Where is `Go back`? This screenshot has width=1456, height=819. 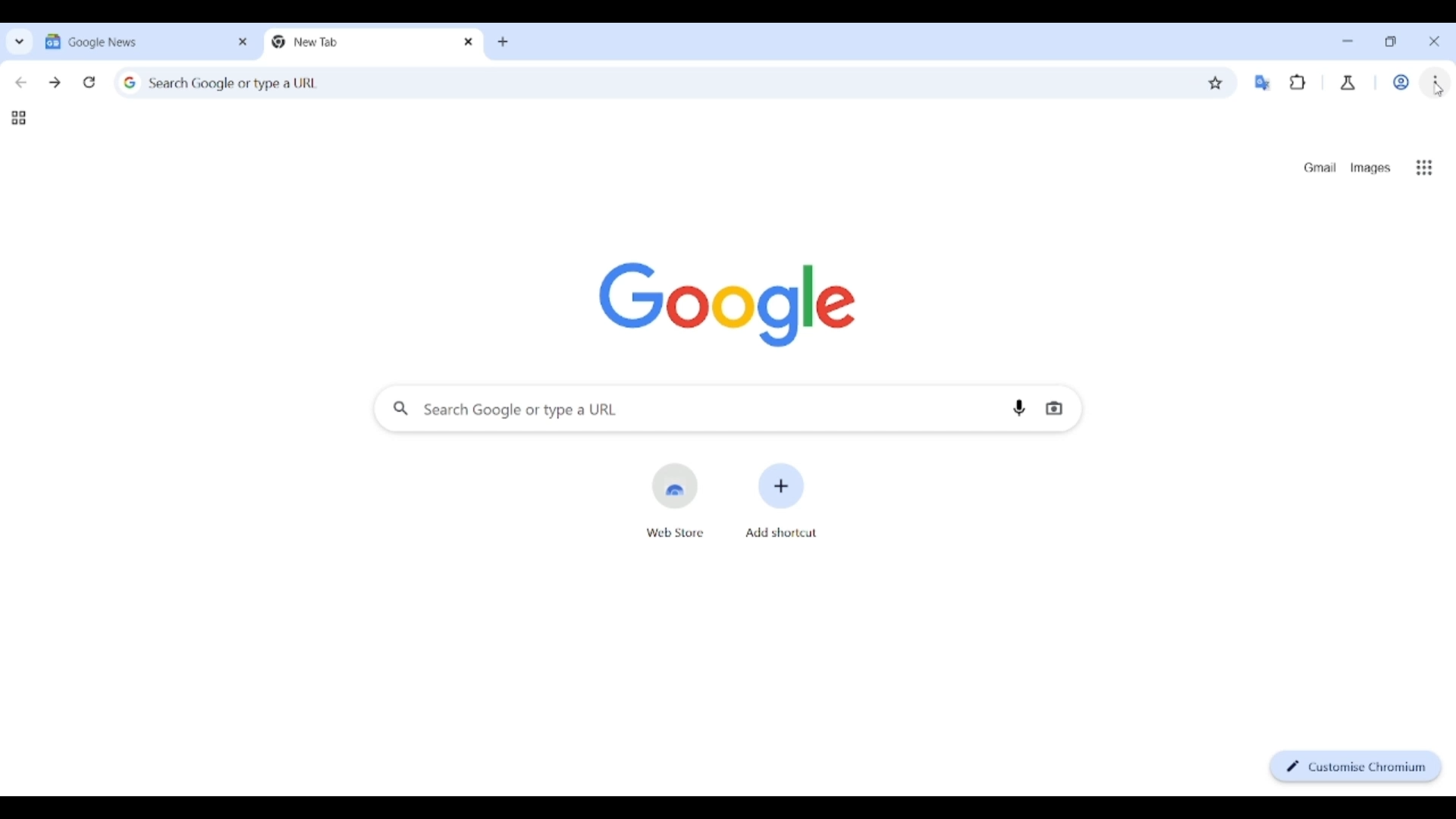
Go back is located at coordinates (20, 83).